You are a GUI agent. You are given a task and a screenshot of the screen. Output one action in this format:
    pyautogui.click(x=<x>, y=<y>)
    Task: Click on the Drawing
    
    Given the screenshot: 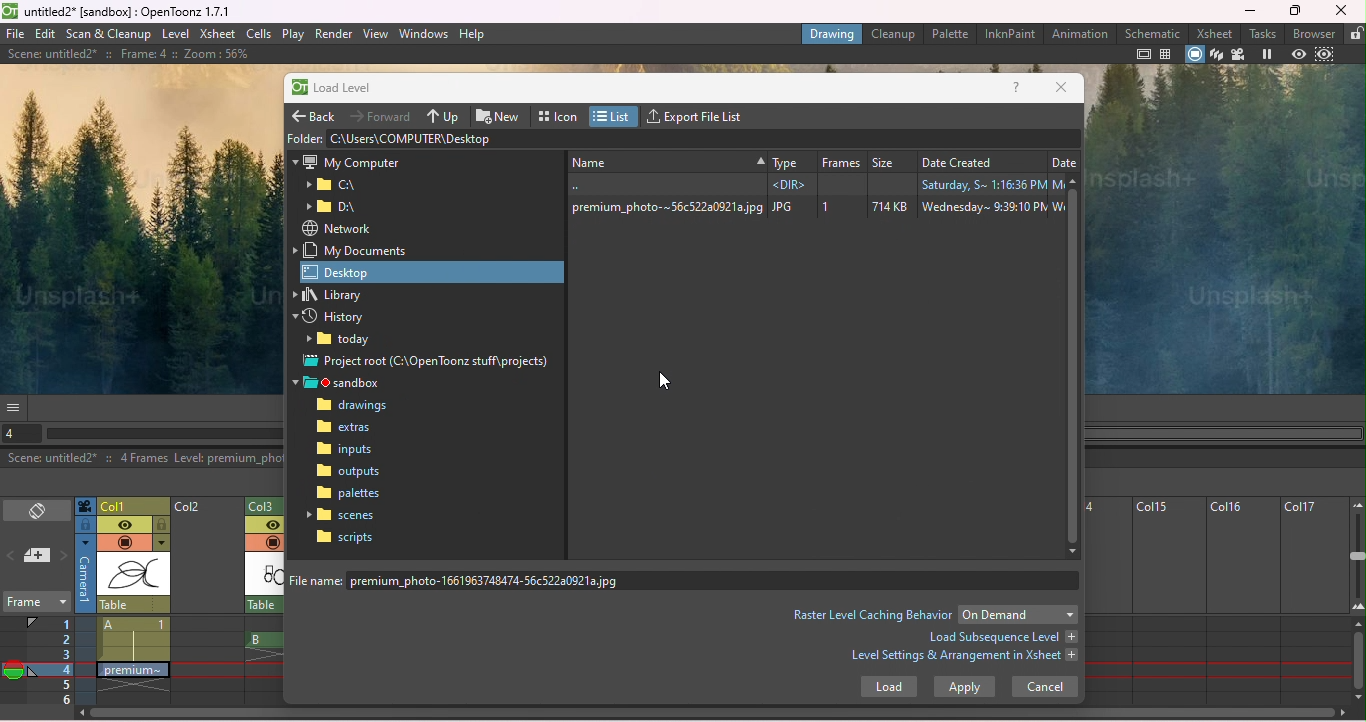 What is the action you would take?
    pyautogui.click(x=832, y=33)
    